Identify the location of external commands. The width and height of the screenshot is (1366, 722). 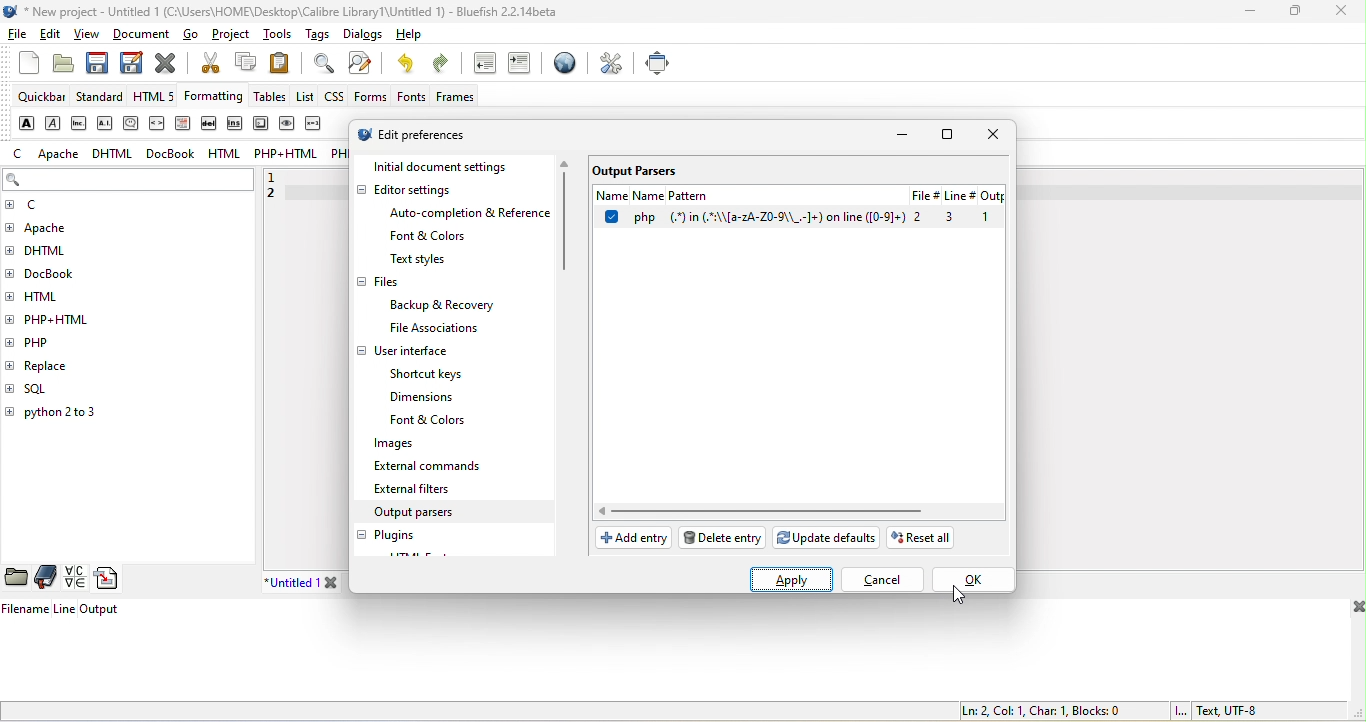
(433, 467).